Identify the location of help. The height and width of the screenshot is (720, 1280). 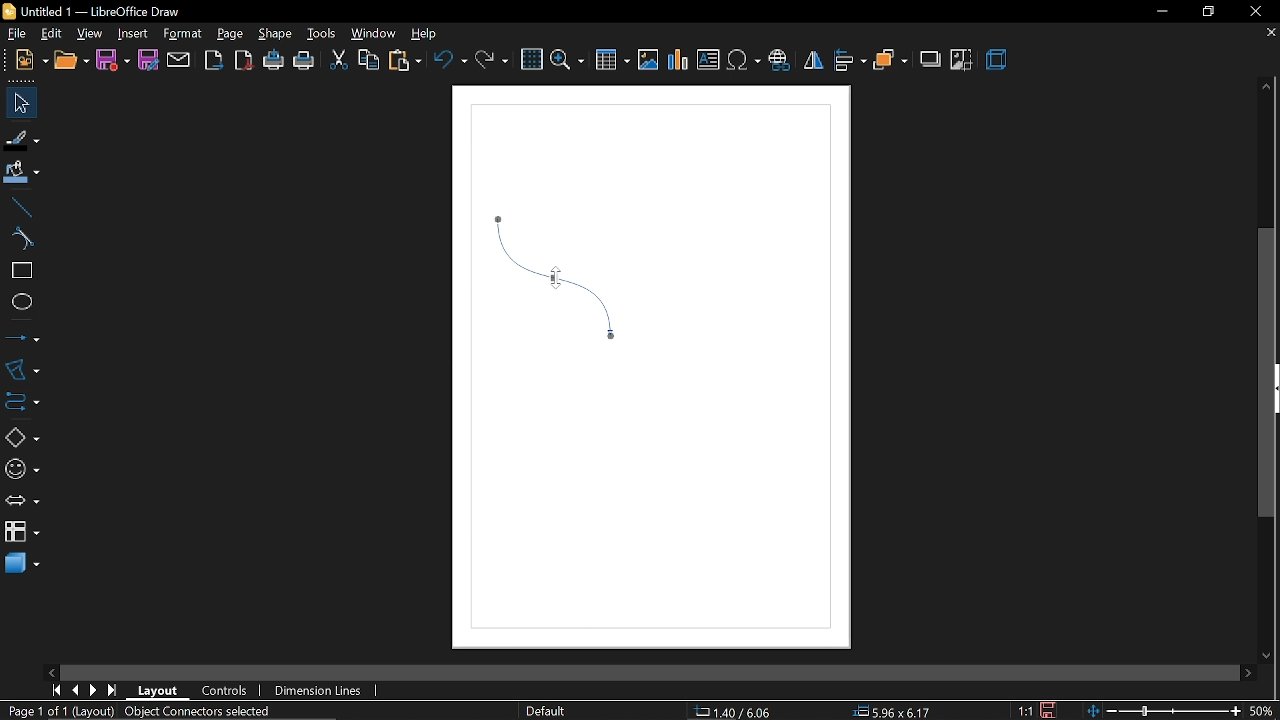
(424, 33).